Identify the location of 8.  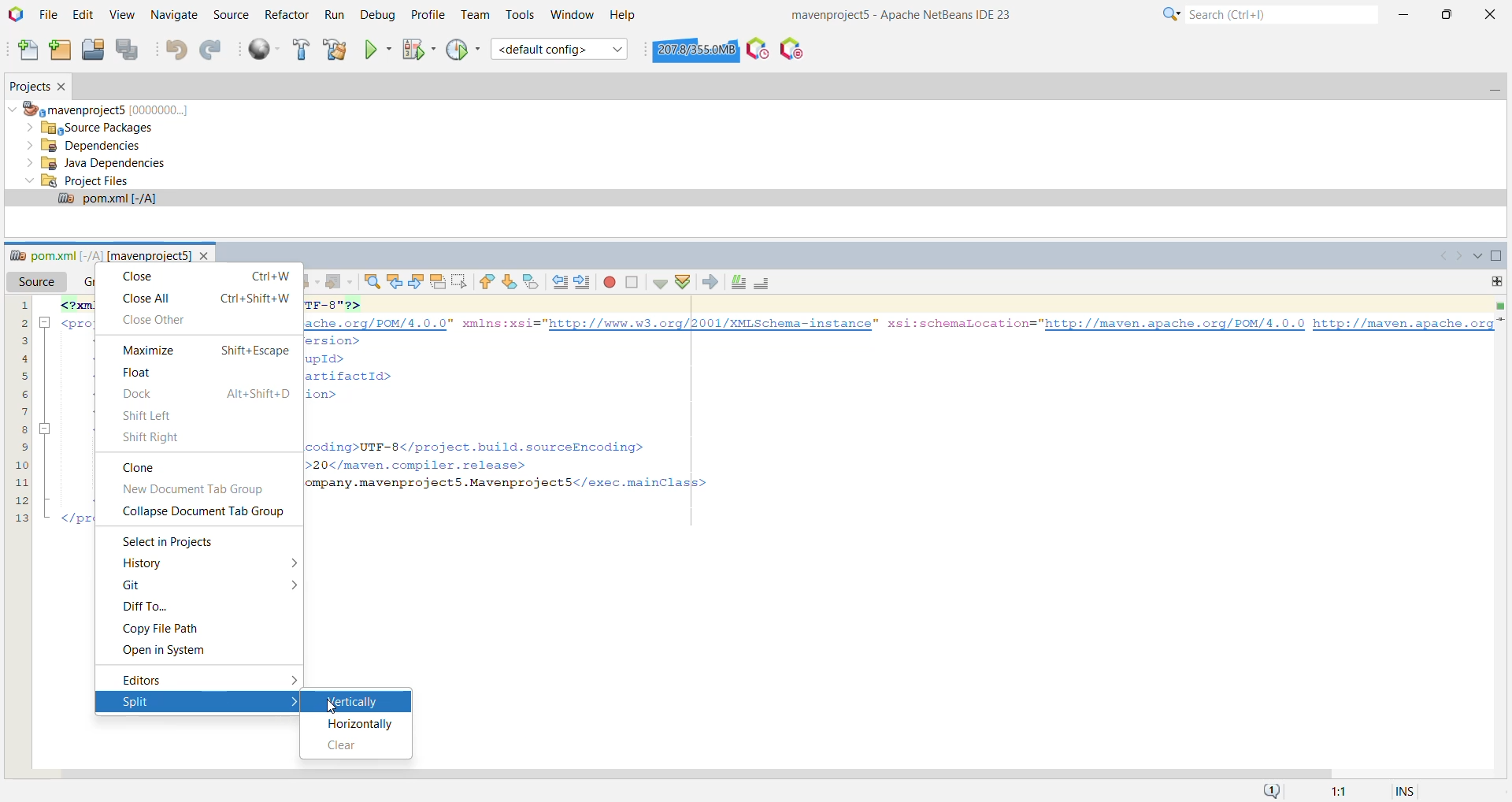
(21, 428).